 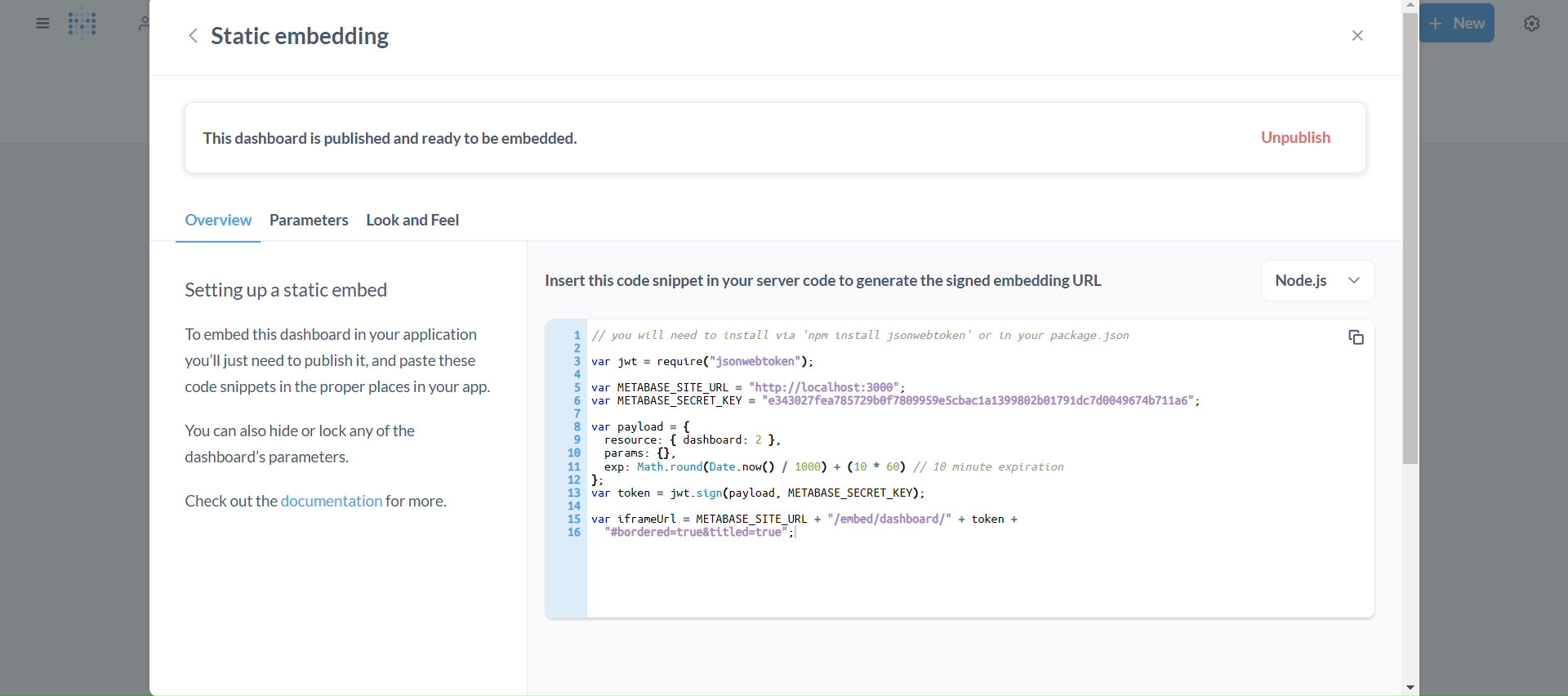 I want to click on Insert this code snippet in your server code to generate the signed embedding URL, so click(x=836, y=284).